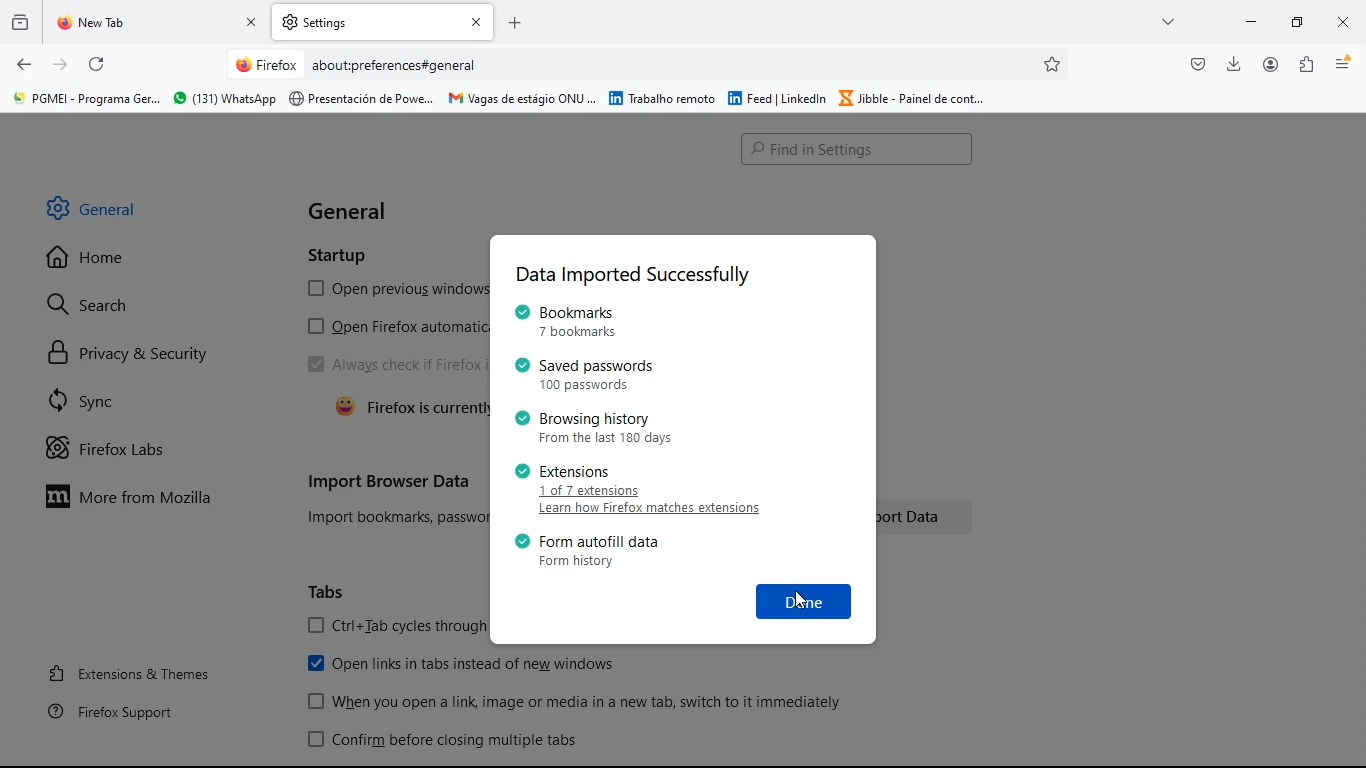 Image resolution: width=1366 pixels, height=768 pixels. I want to click on profile, so click(1270, 64).